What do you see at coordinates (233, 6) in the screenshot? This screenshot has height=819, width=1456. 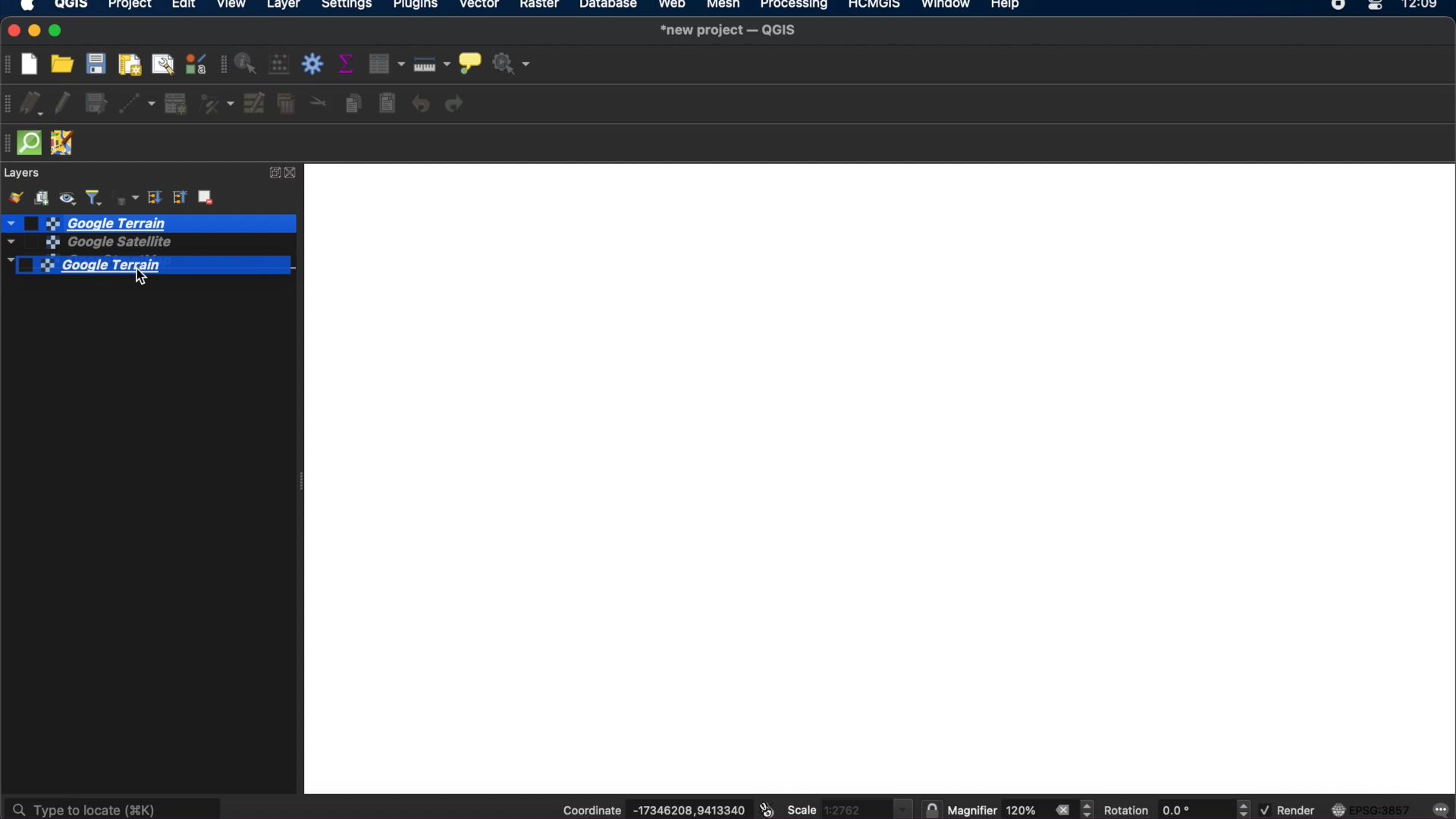 I see `view` at bounding box center [233, 6].